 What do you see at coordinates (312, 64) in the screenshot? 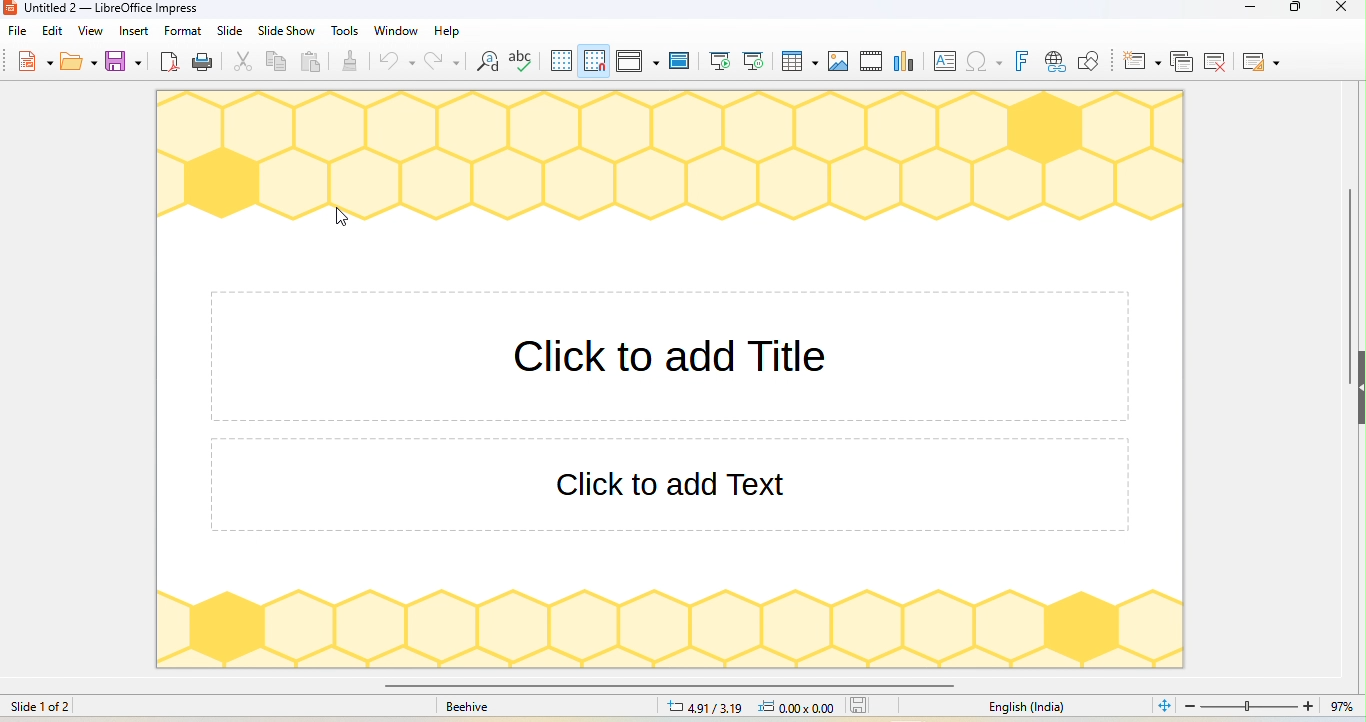
I see `paste` at bounding box center [312, 64].